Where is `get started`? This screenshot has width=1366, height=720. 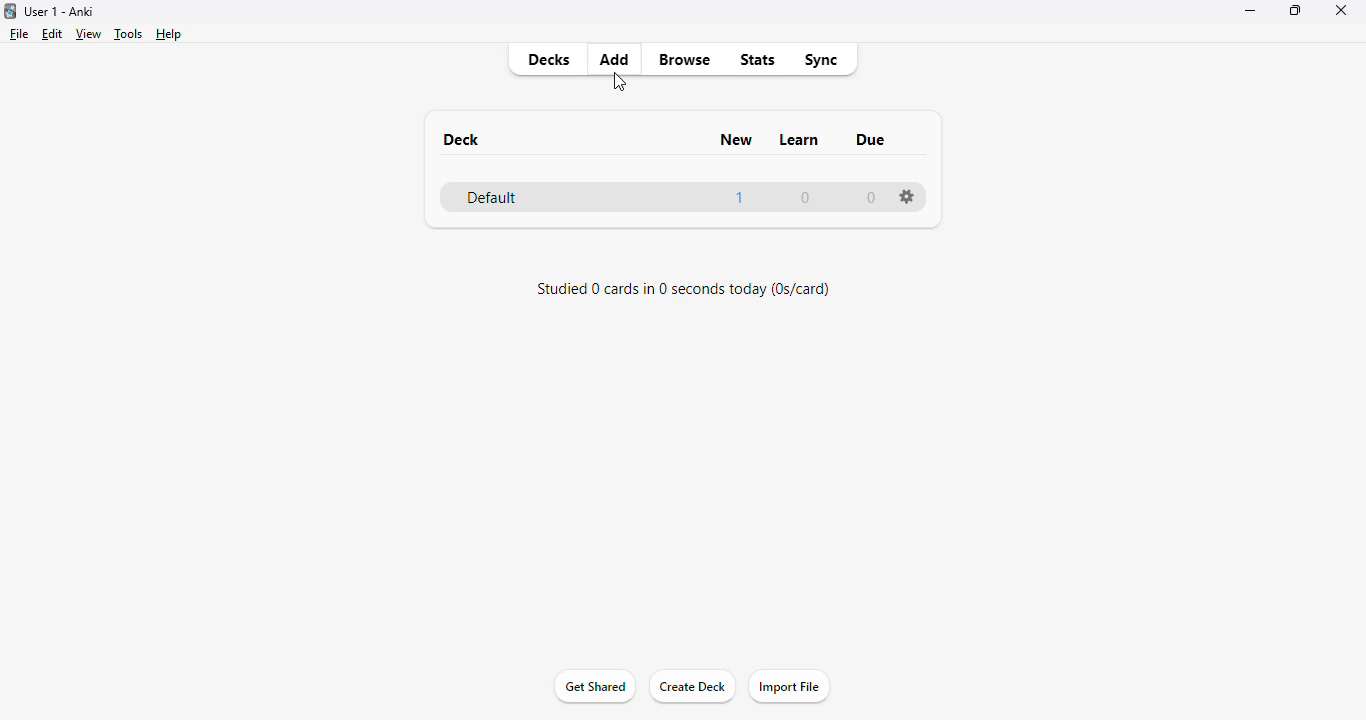 get started is located at coordinates (595, 686).